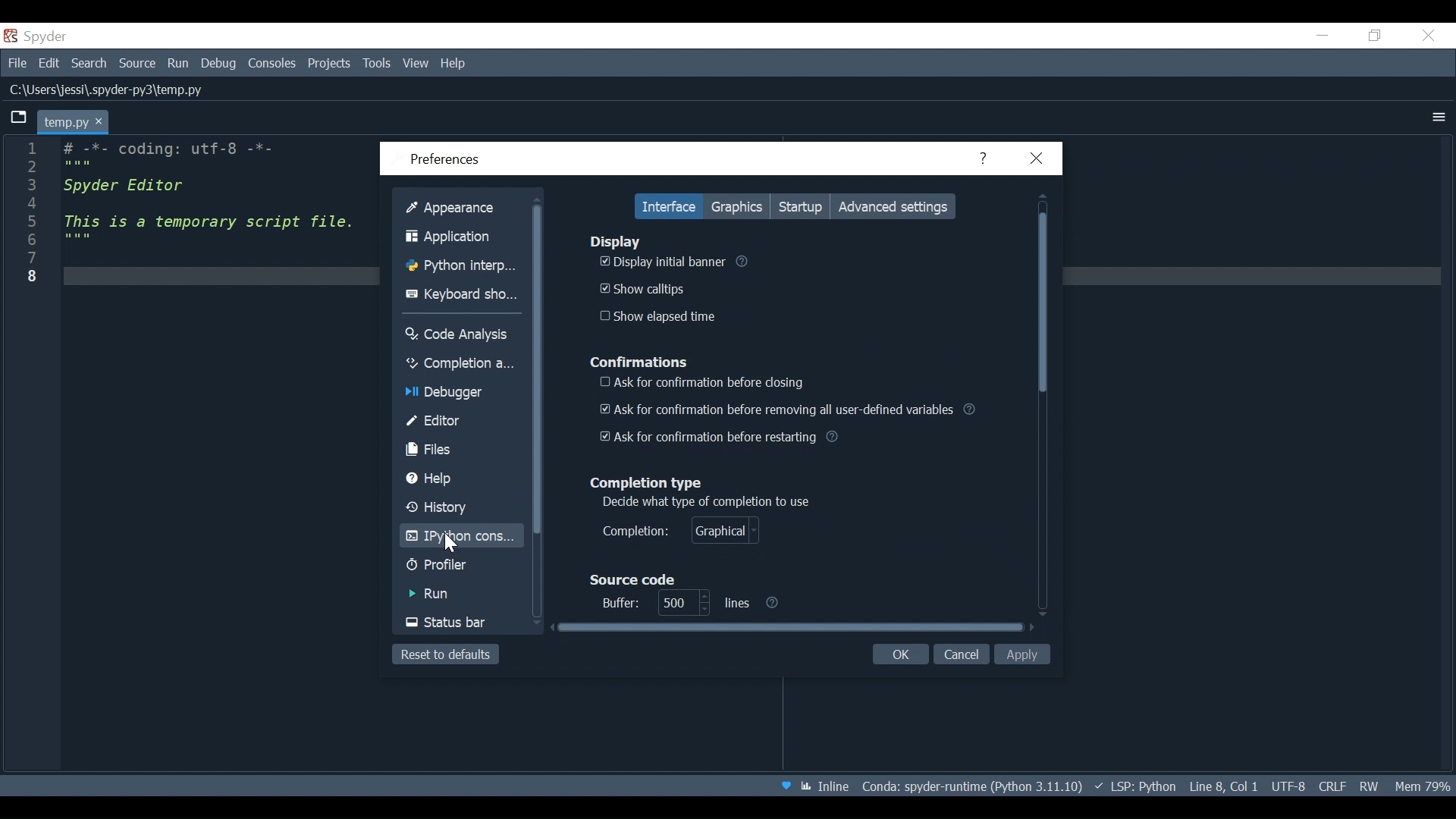 The height and width of the screenshot is (819, 1456). I want to click on View, so click(416, 64).